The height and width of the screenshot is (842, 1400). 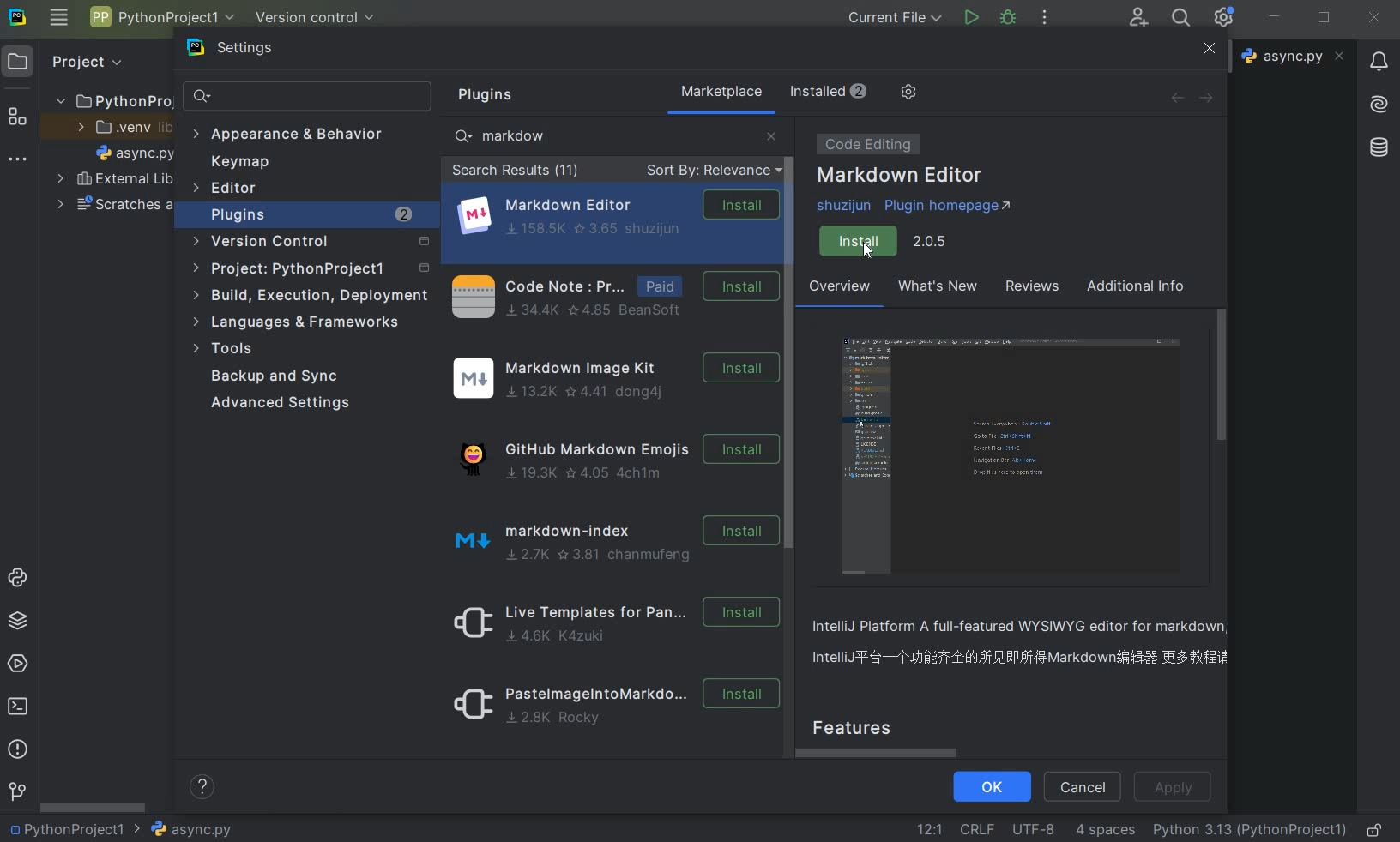 What do you see at coordinates (990, 788) in the screenshot?
I see `ok` at bounding box center [990, 788].